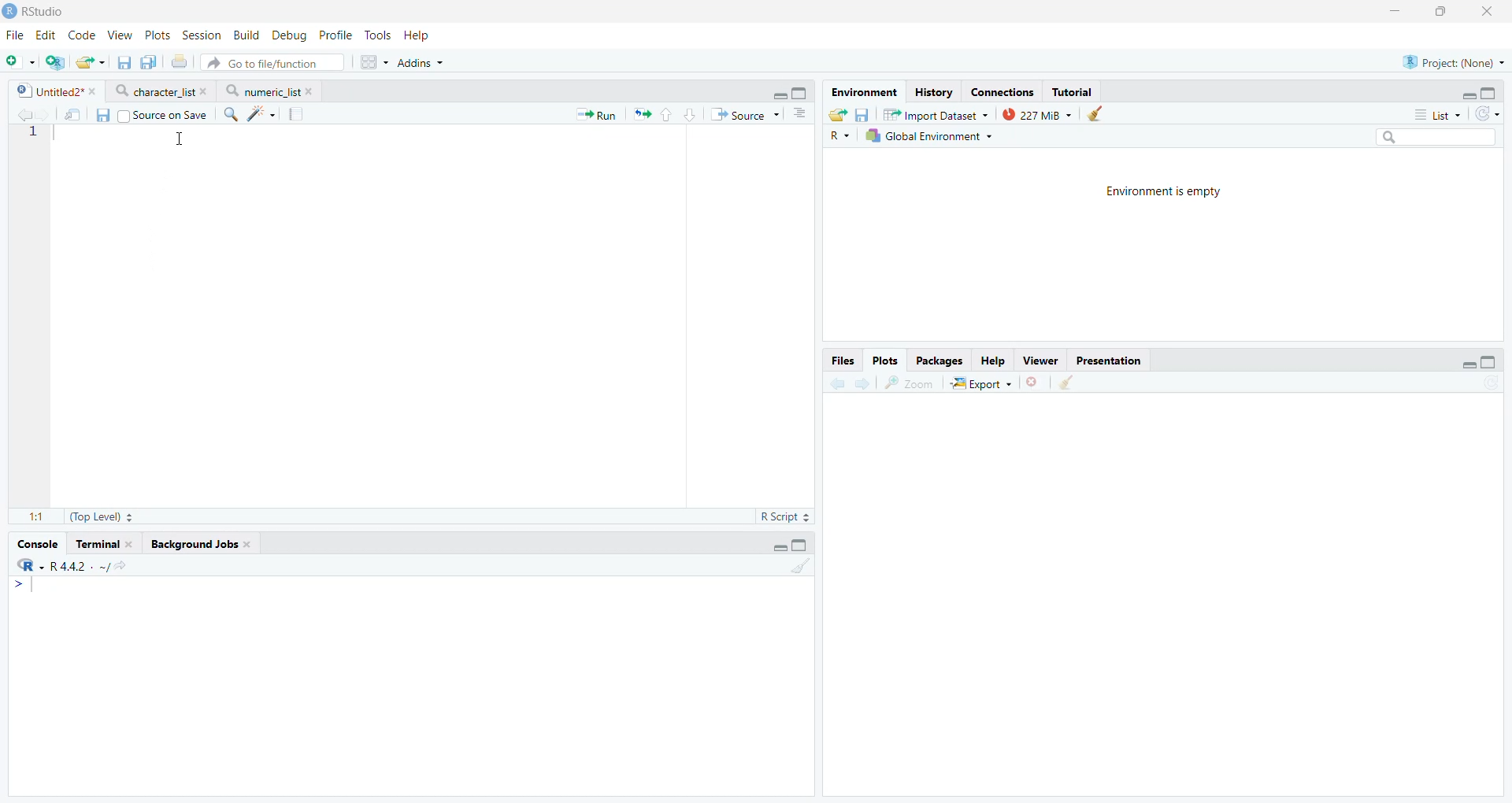  What do you see at coordinates (47, 34) in the screenshot?
I see `Edit` at bounding box center [47, 34].